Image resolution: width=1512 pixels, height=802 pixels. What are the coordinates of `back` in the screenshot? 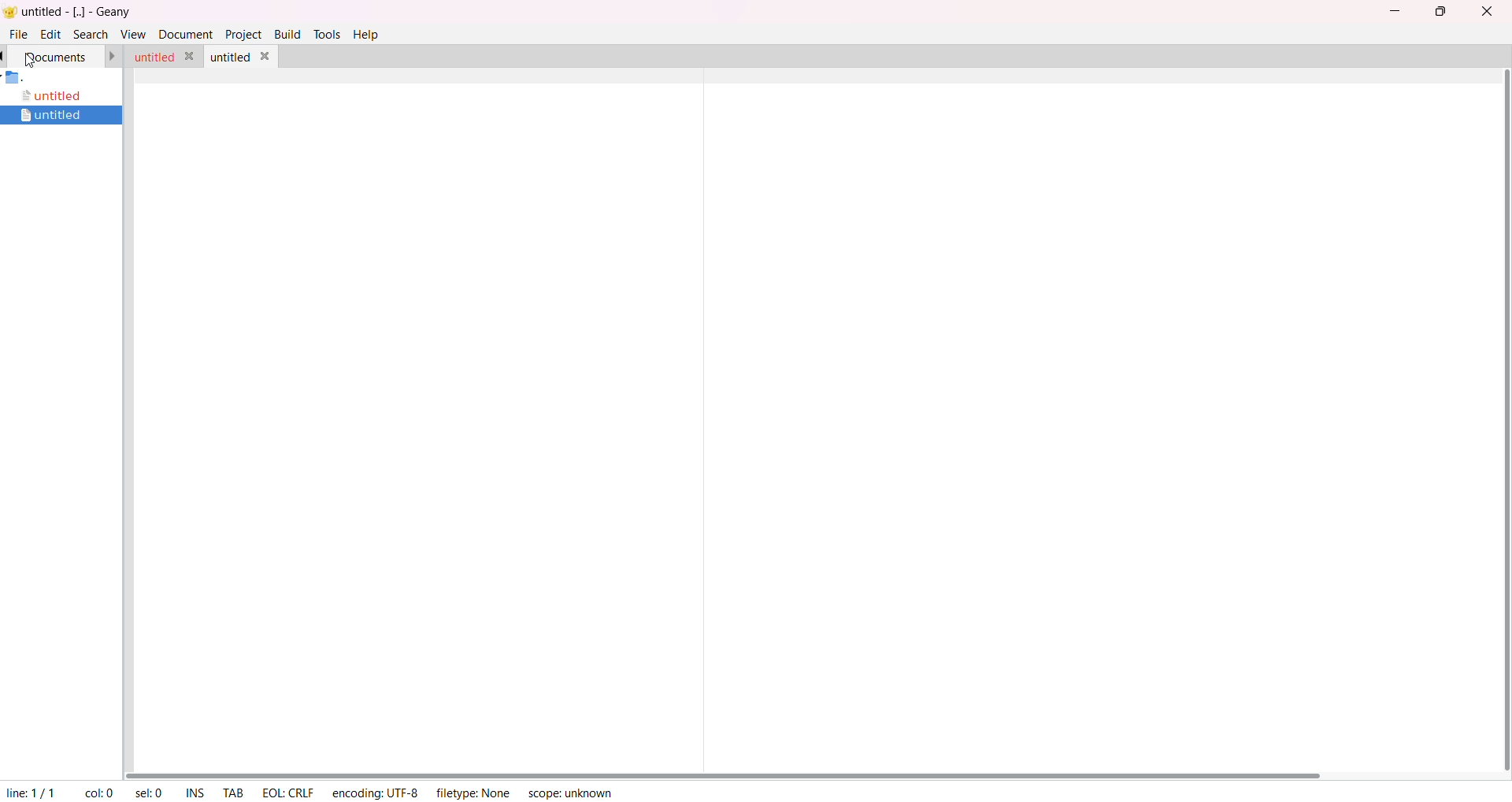 It's located at (5, 56).